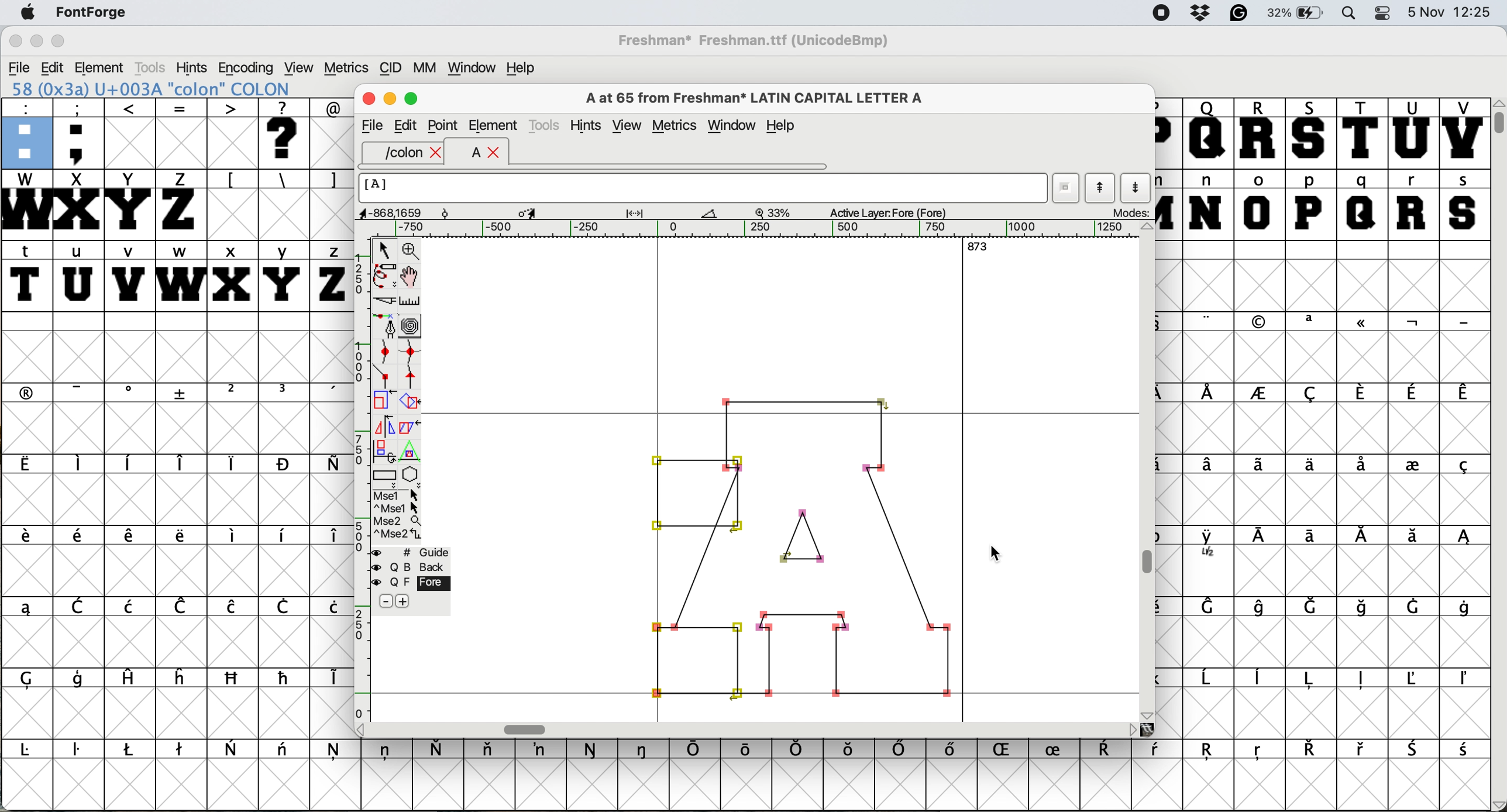 The height and width of the screenshot is (812, 1507). I want to click on scale the selection, so click(384, 400).